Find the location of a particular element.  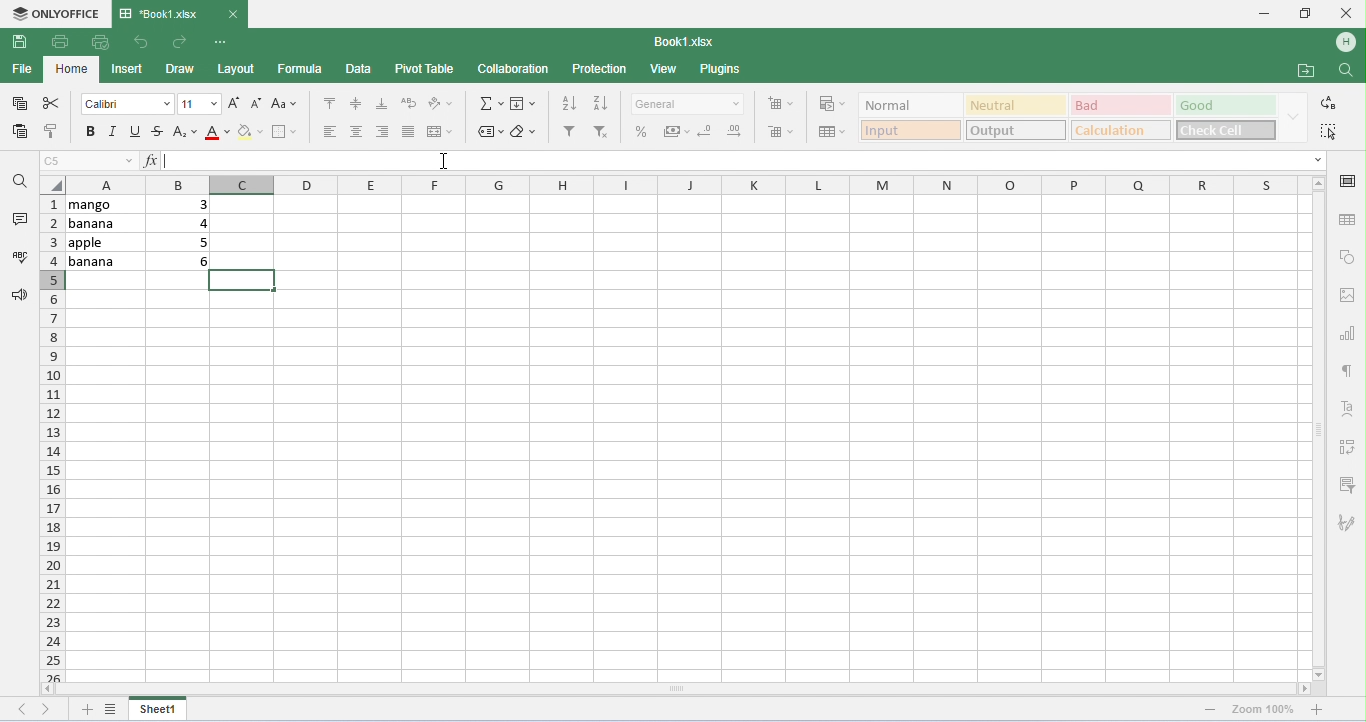

title is located at coordinates (160, 13).